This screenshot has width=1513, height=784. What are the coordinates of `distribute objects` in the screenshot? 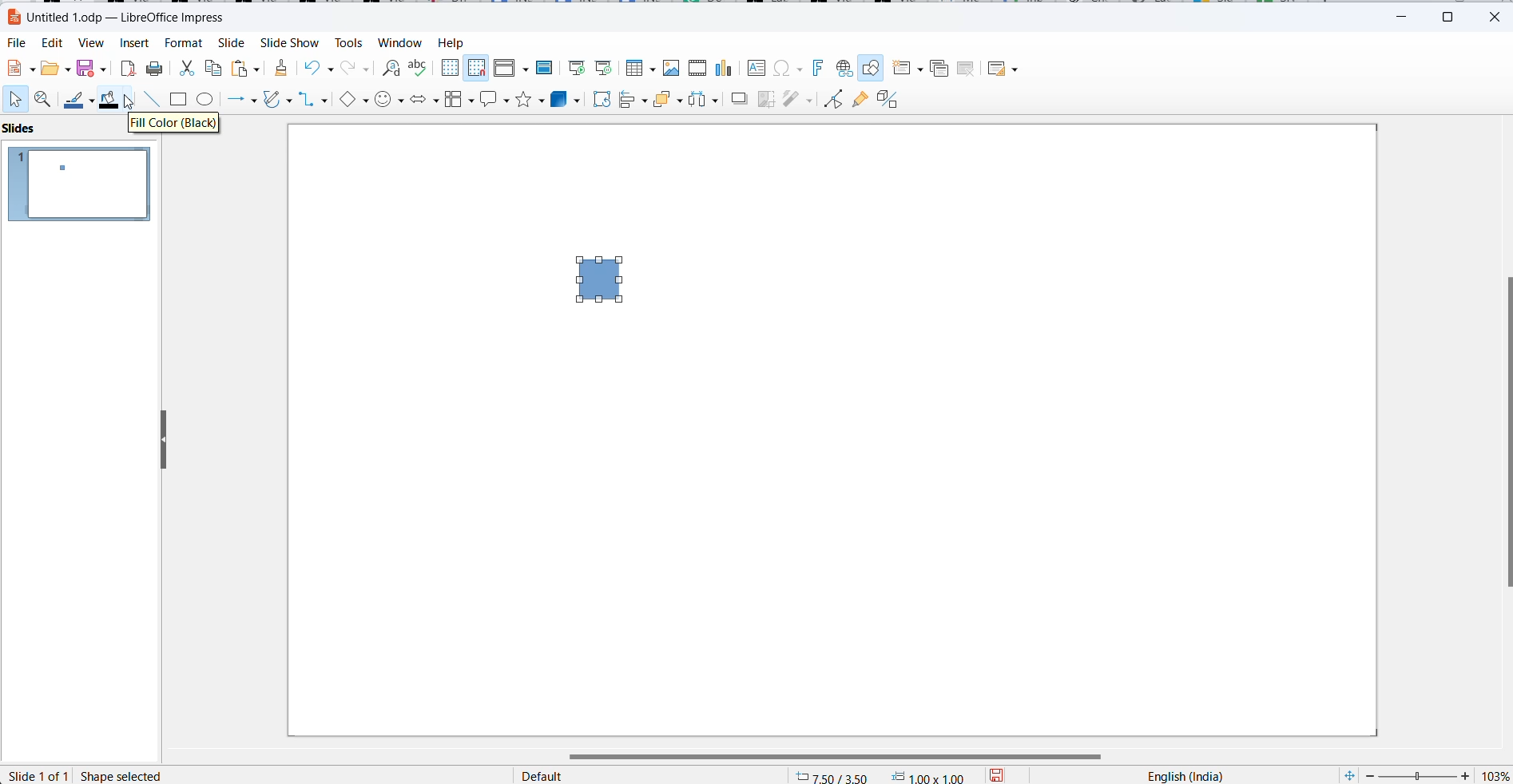 It's located at (704, 101).